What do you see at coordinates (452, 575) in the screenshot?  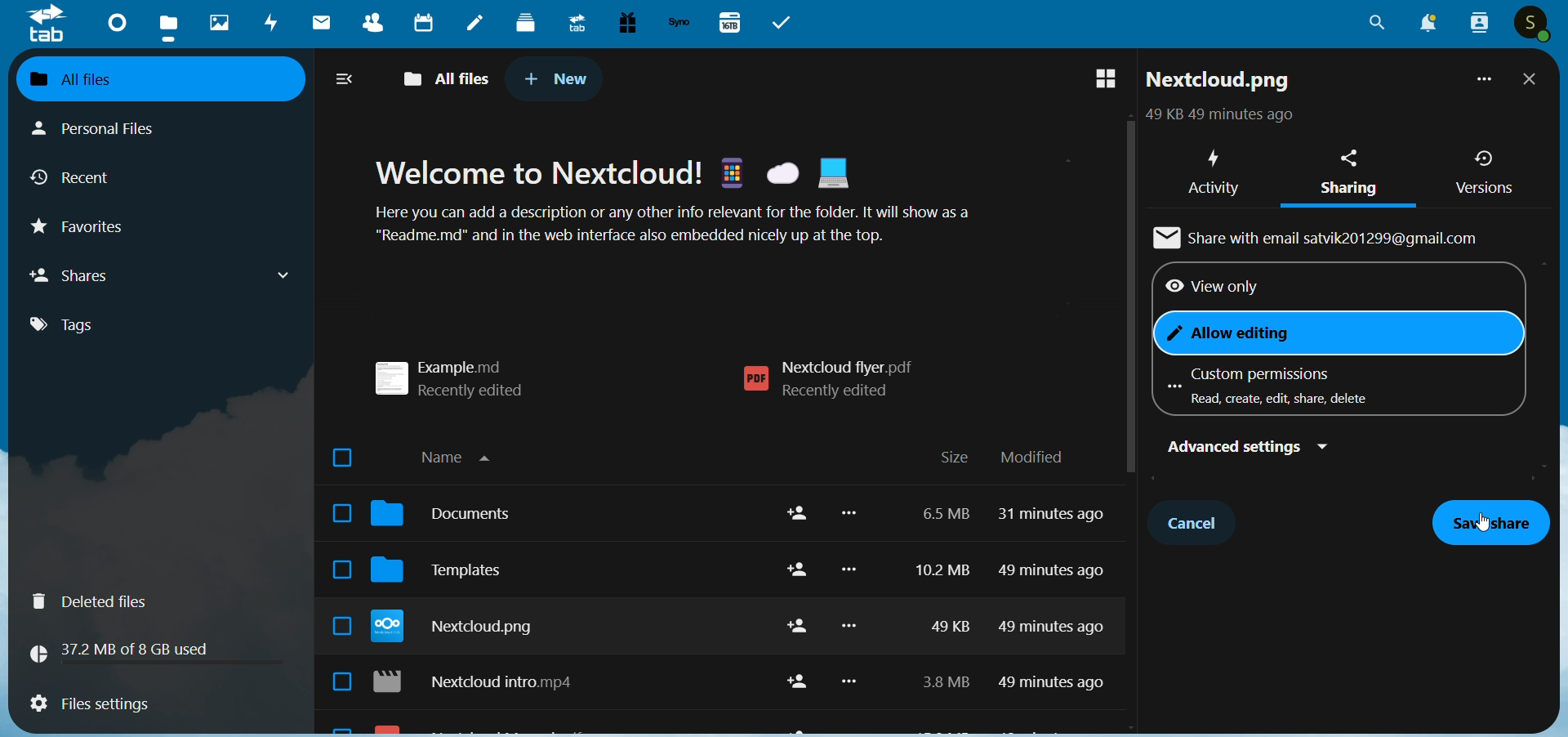 I see `templates` at bounding box center [452, 575].